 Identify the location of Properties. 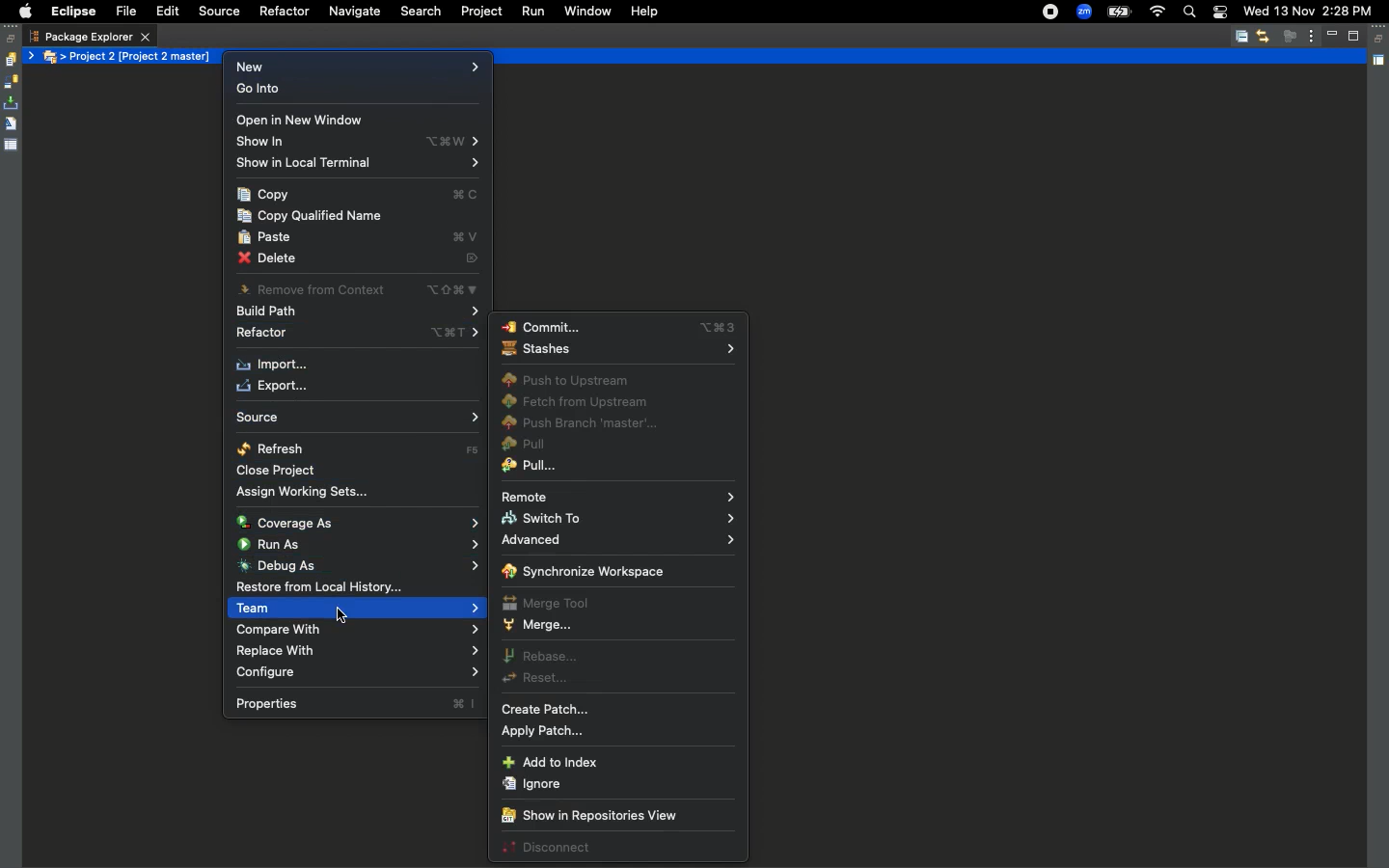
(12, 144).